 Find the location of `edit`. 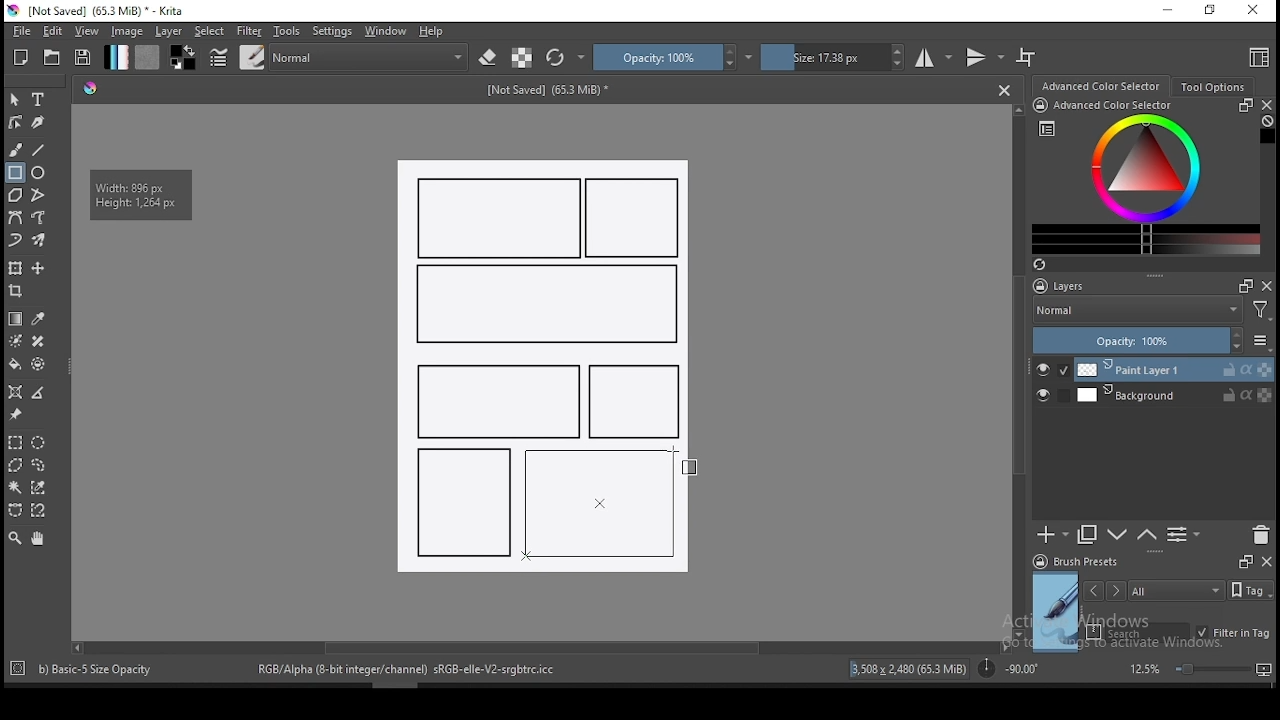

edit is located at coordinates (52, 30).